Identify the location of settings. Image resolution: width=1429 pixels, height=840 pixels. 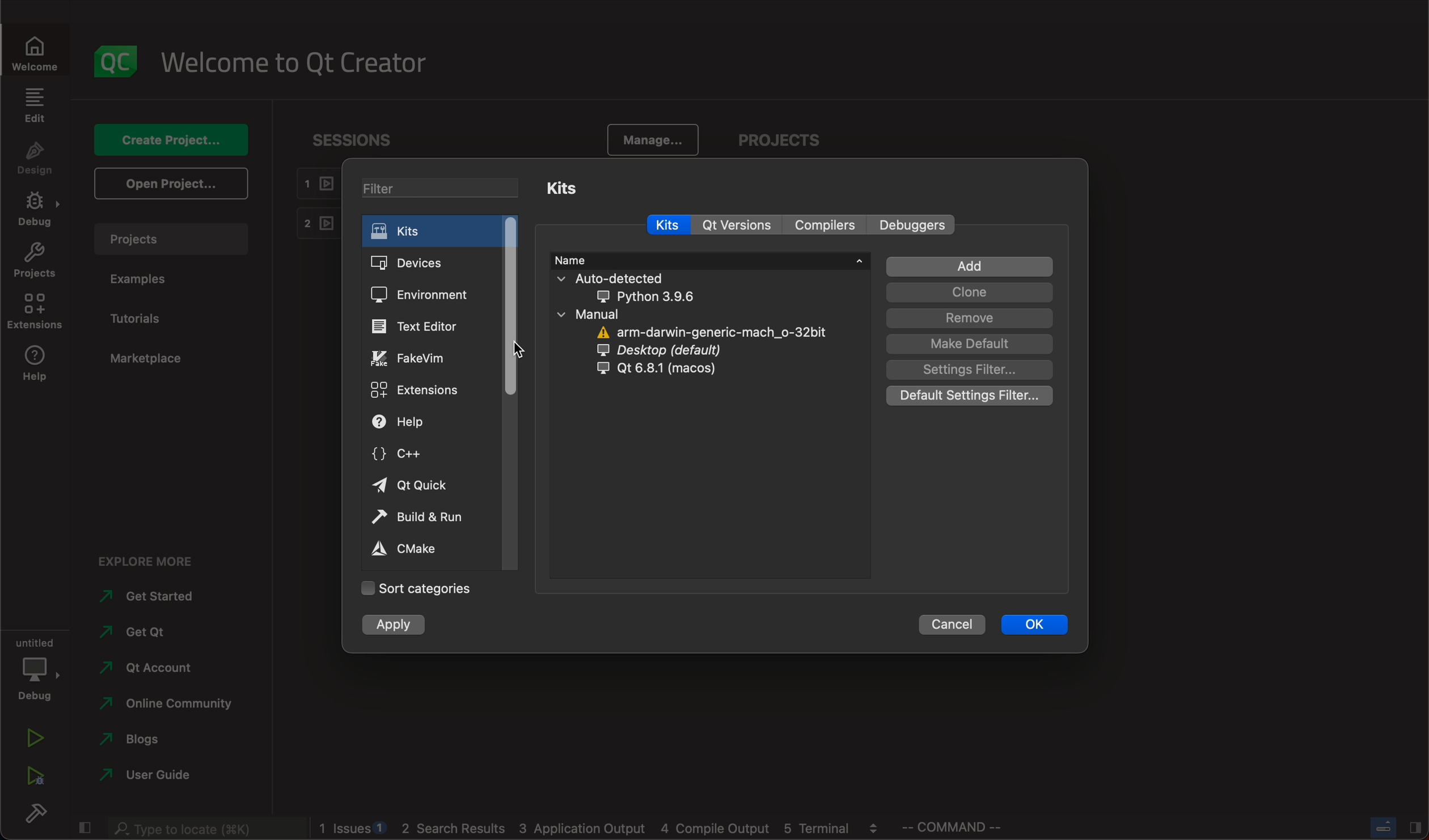
(970, 370).